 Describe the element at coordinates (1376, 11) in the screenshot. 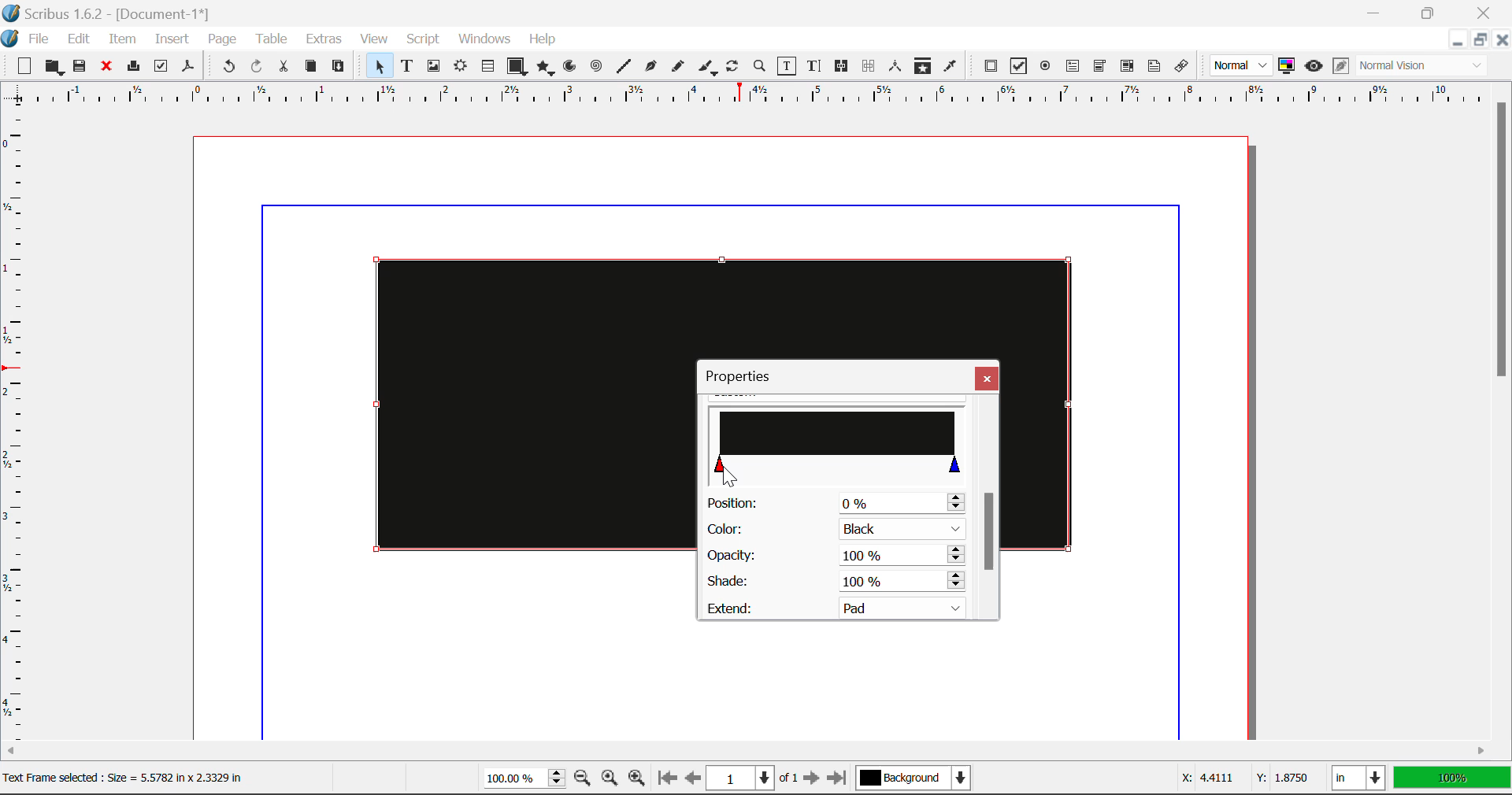

I see `Restore Down` at that location.